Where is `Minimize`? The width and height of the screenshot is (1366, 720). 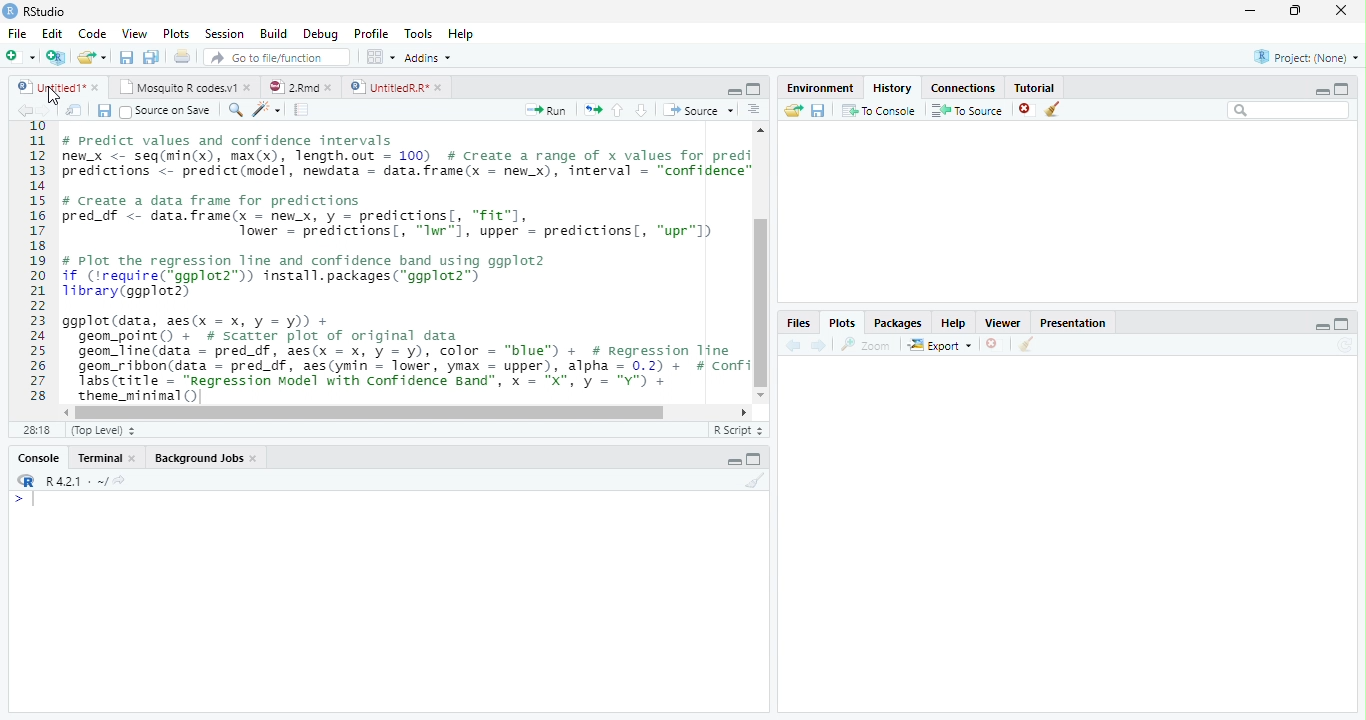
Minimize is located at coordinates (734, 462).